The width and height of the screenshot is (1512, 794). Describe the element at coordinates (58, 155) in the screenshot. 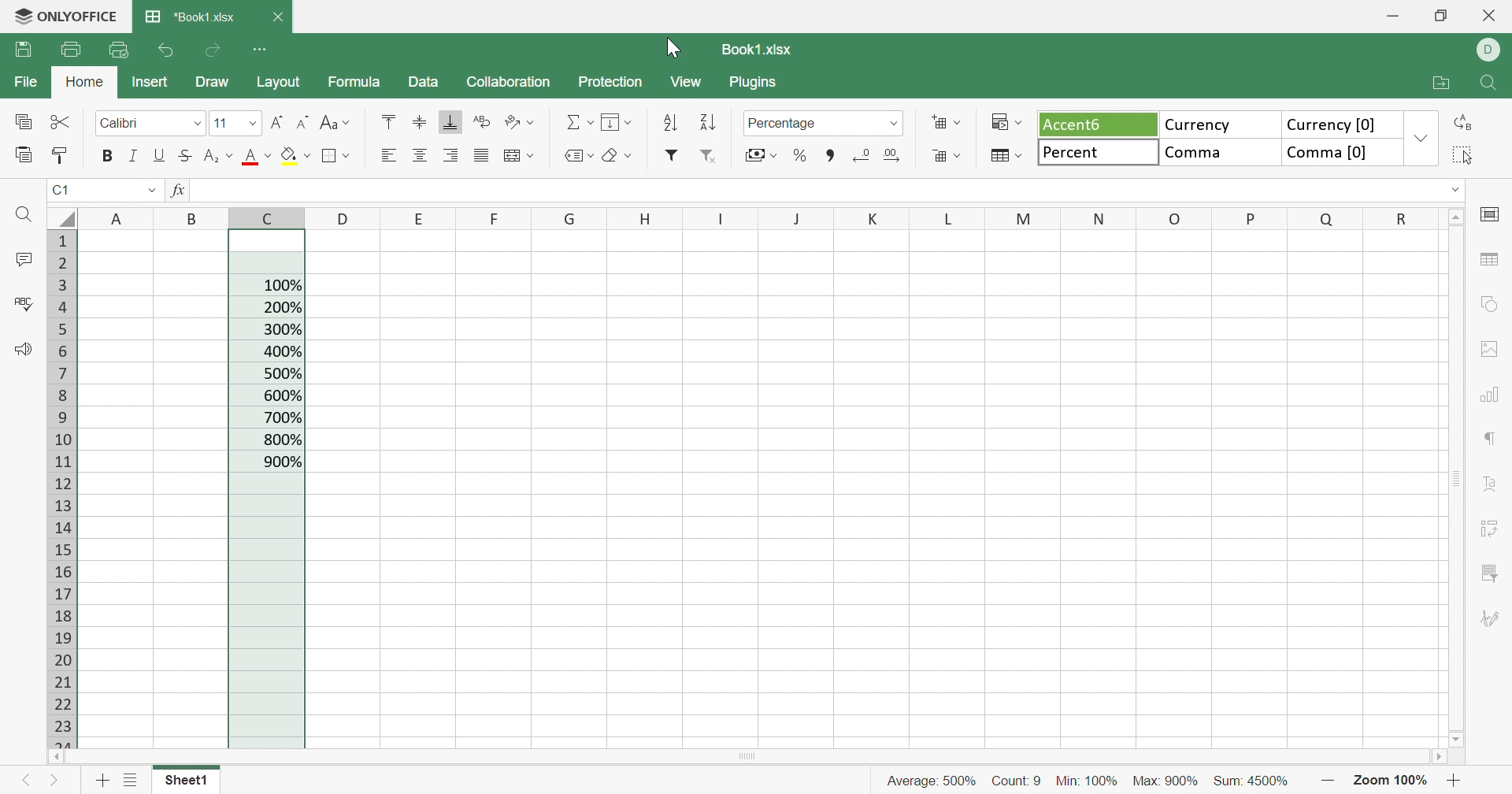

I see `Copy Style` at that location.